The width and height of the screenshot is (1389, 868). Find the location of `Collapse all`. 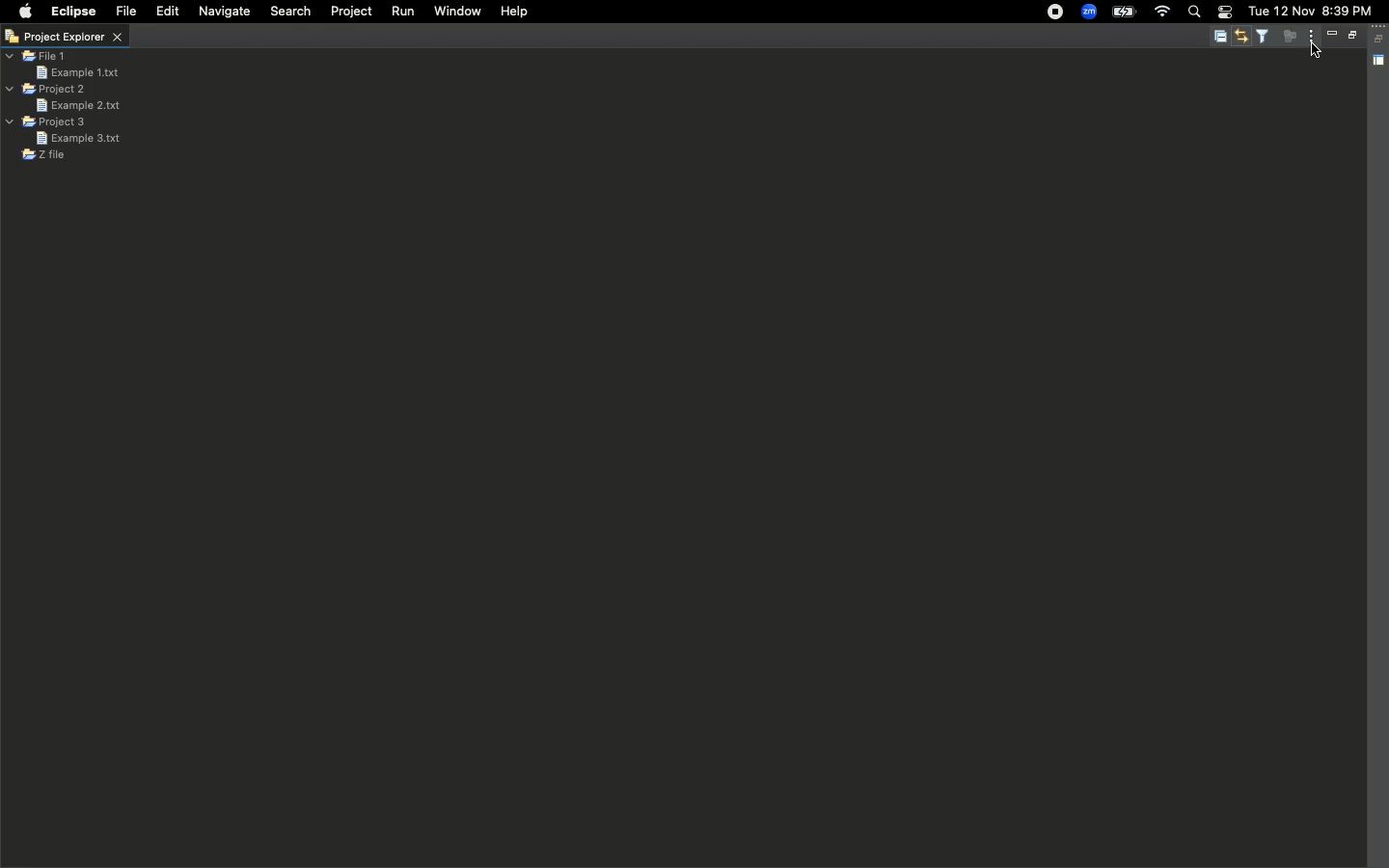

Collapse all is located at coordinates (1380, 39).